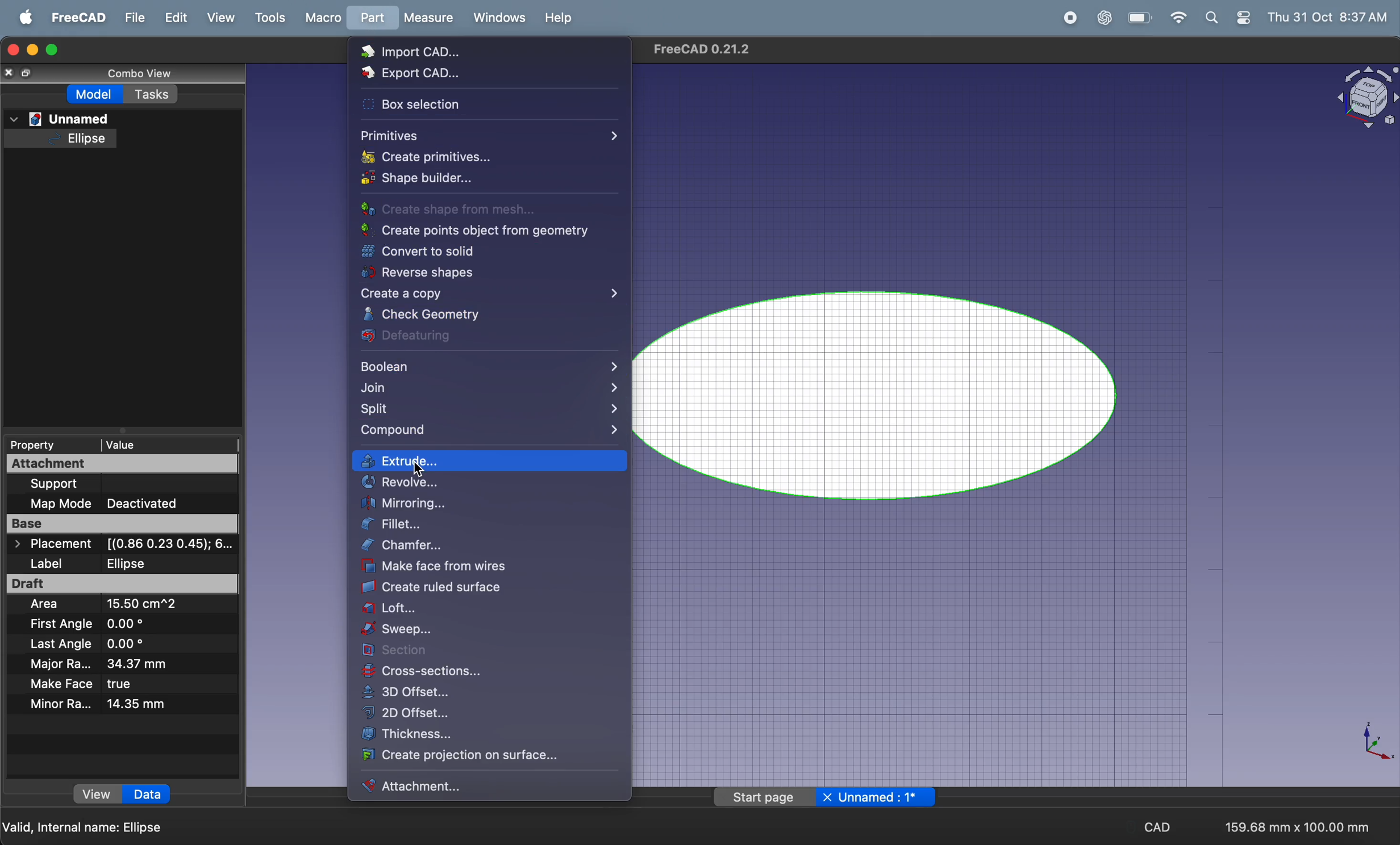  I want to click on minimize, so click(35, 51).